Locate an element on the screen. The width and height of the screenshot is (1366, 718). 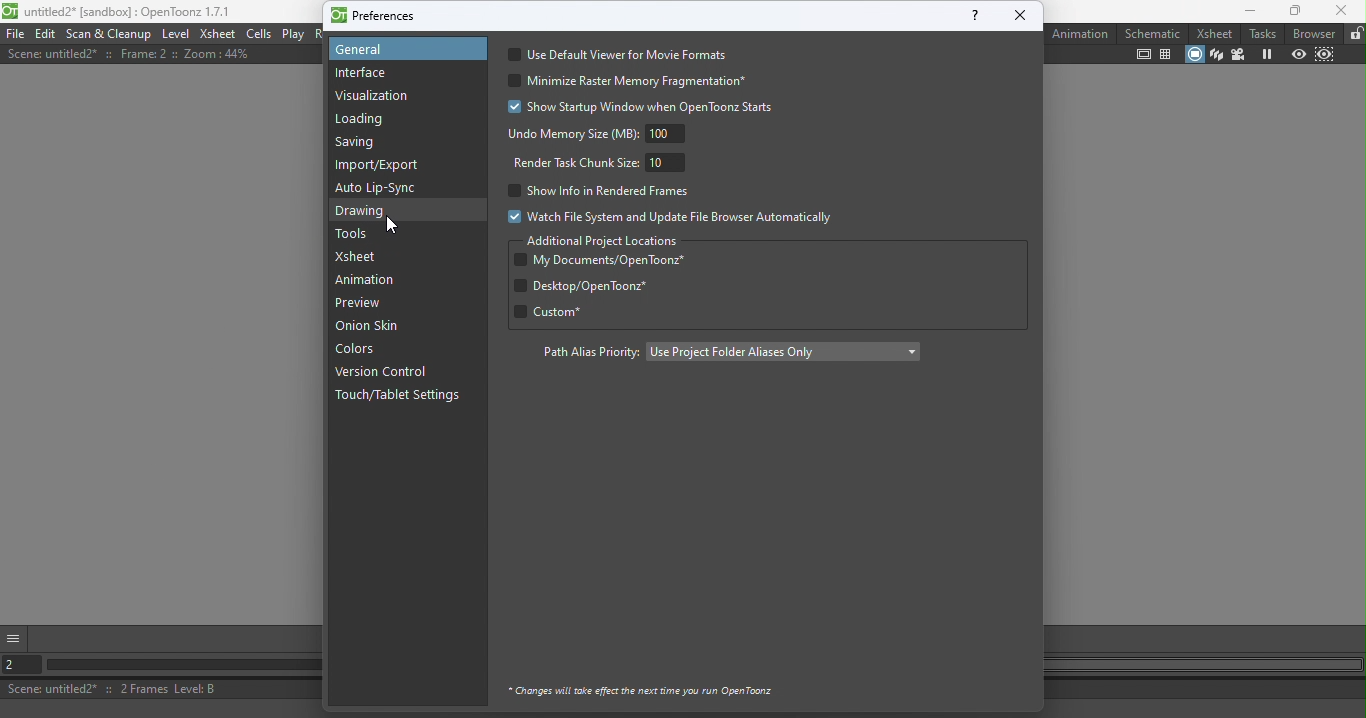
Loading is located at coordinates (367, 120).